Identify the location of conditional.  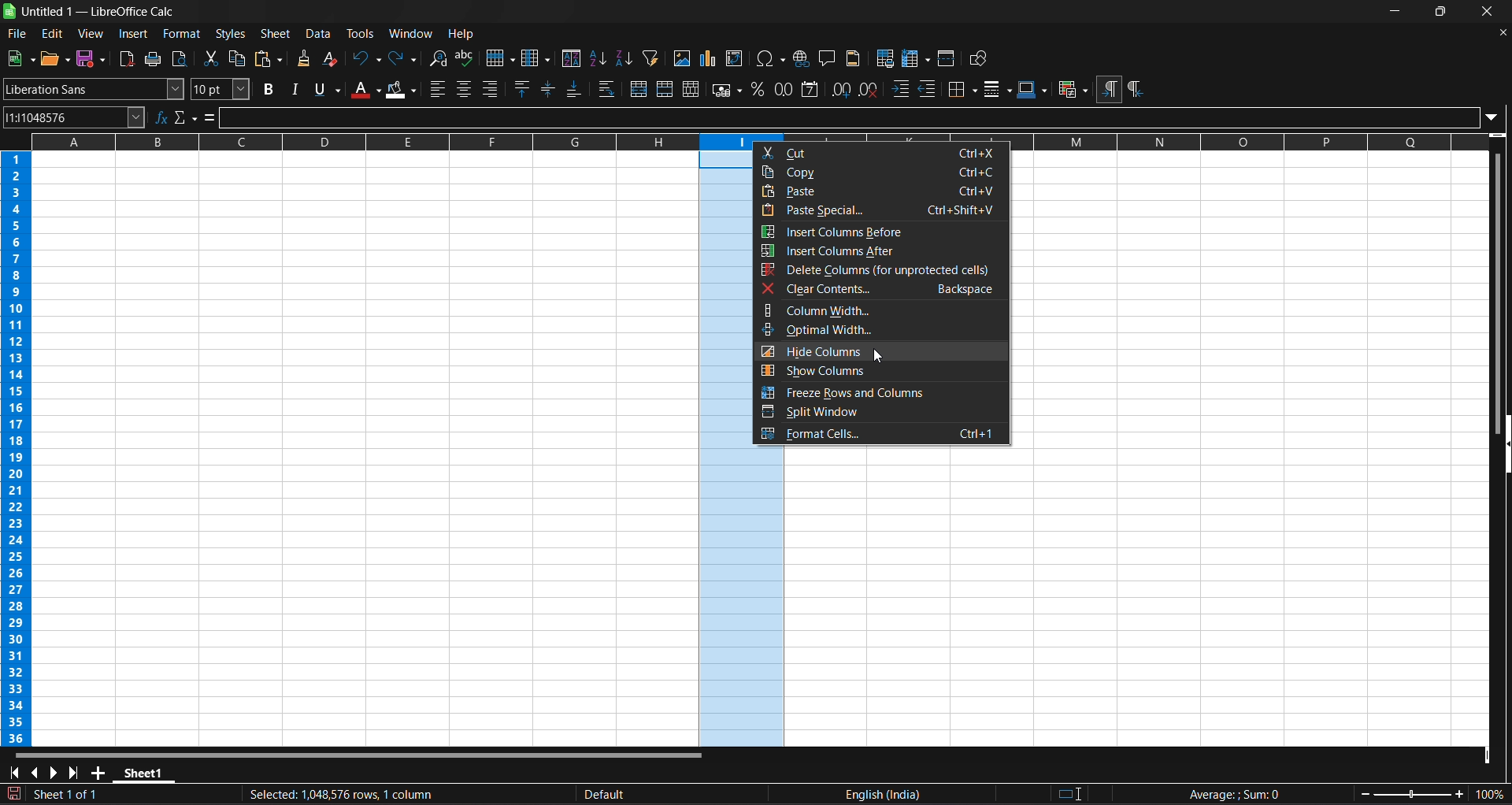
(1073, 90).